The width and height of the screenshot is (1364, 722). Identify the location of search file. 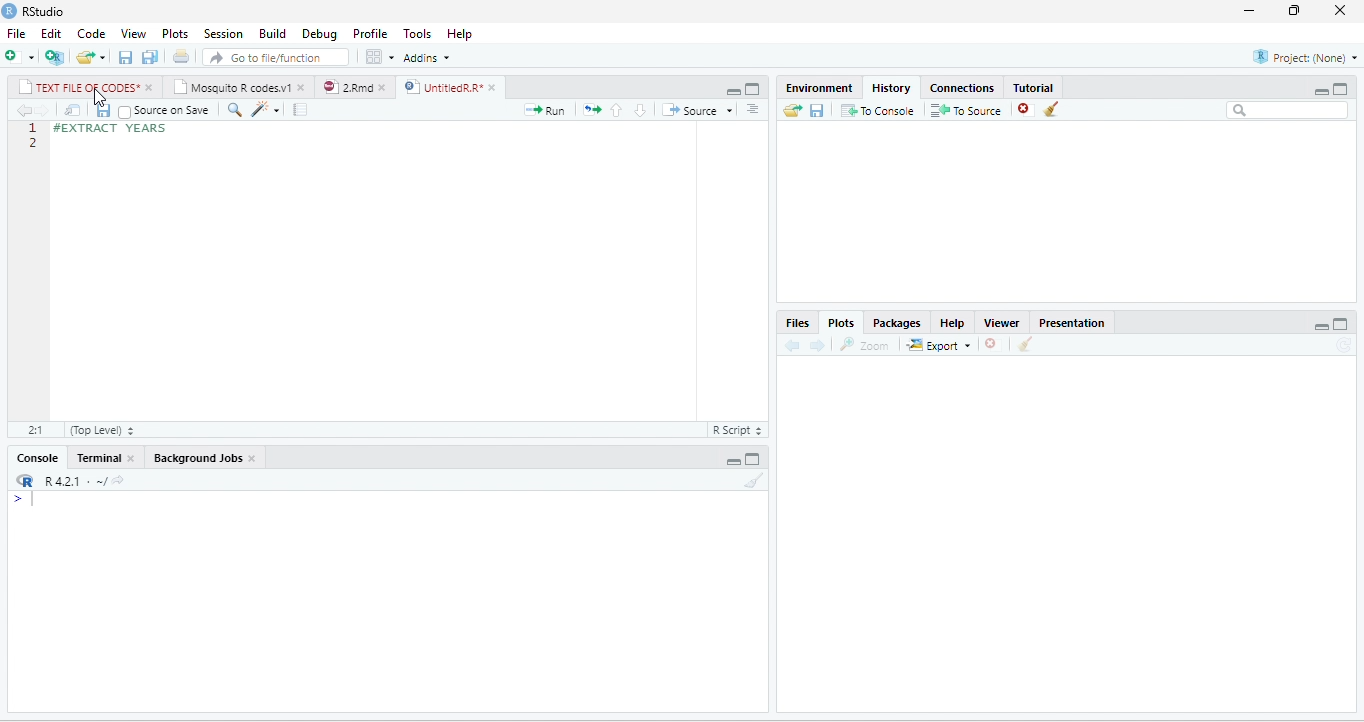
(276, 57).